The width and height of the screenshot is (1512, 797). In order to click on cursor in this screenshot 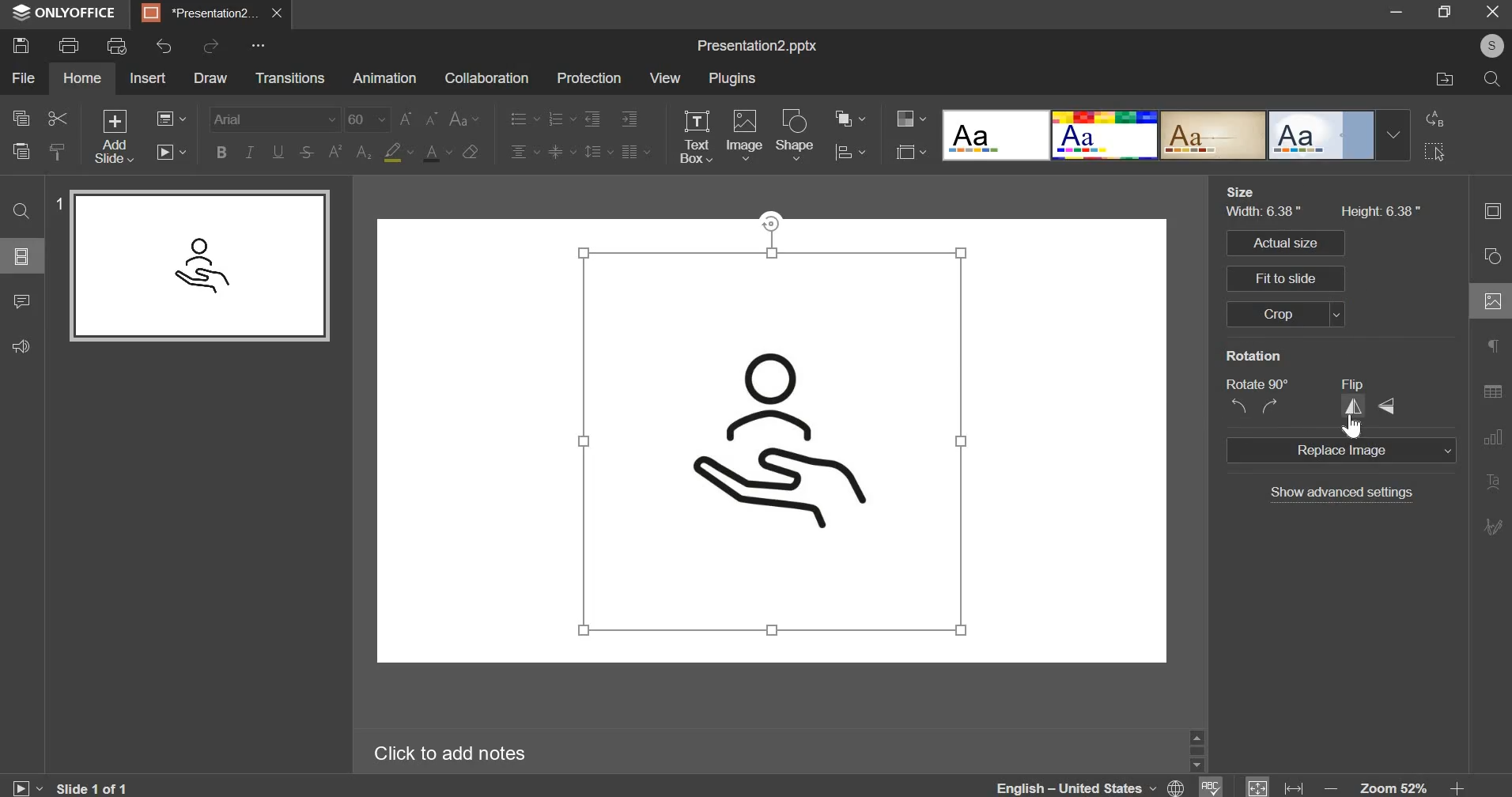, I will do `click(1354, 427)`.